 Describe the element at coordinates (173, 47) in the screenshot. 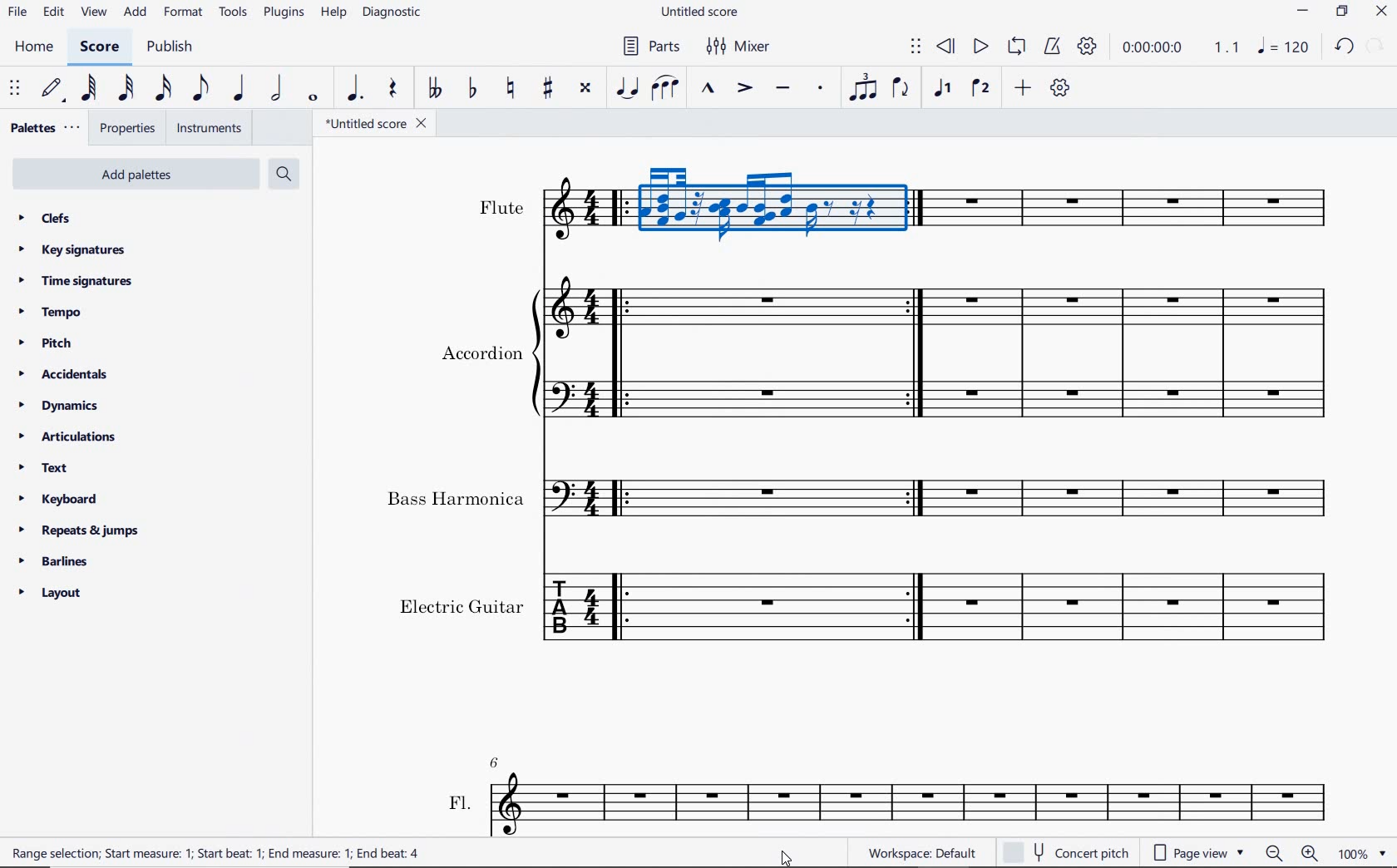

I see `publish` at that location.